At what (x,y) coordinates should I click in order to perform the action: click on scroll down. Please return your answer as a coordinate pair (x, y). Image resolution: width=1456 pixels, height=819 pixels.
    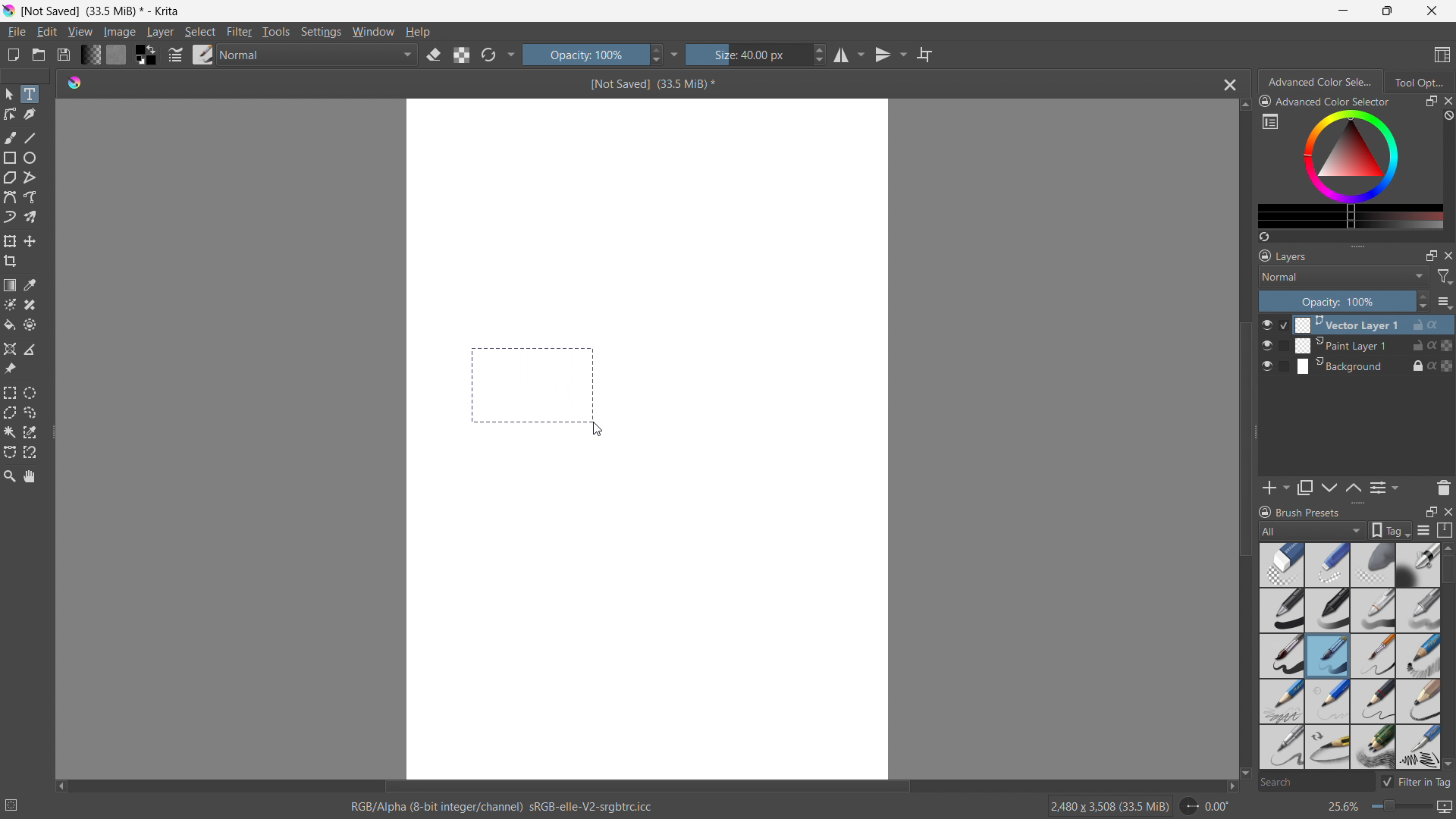
    Looking at the image, I should click on (1447, 764).